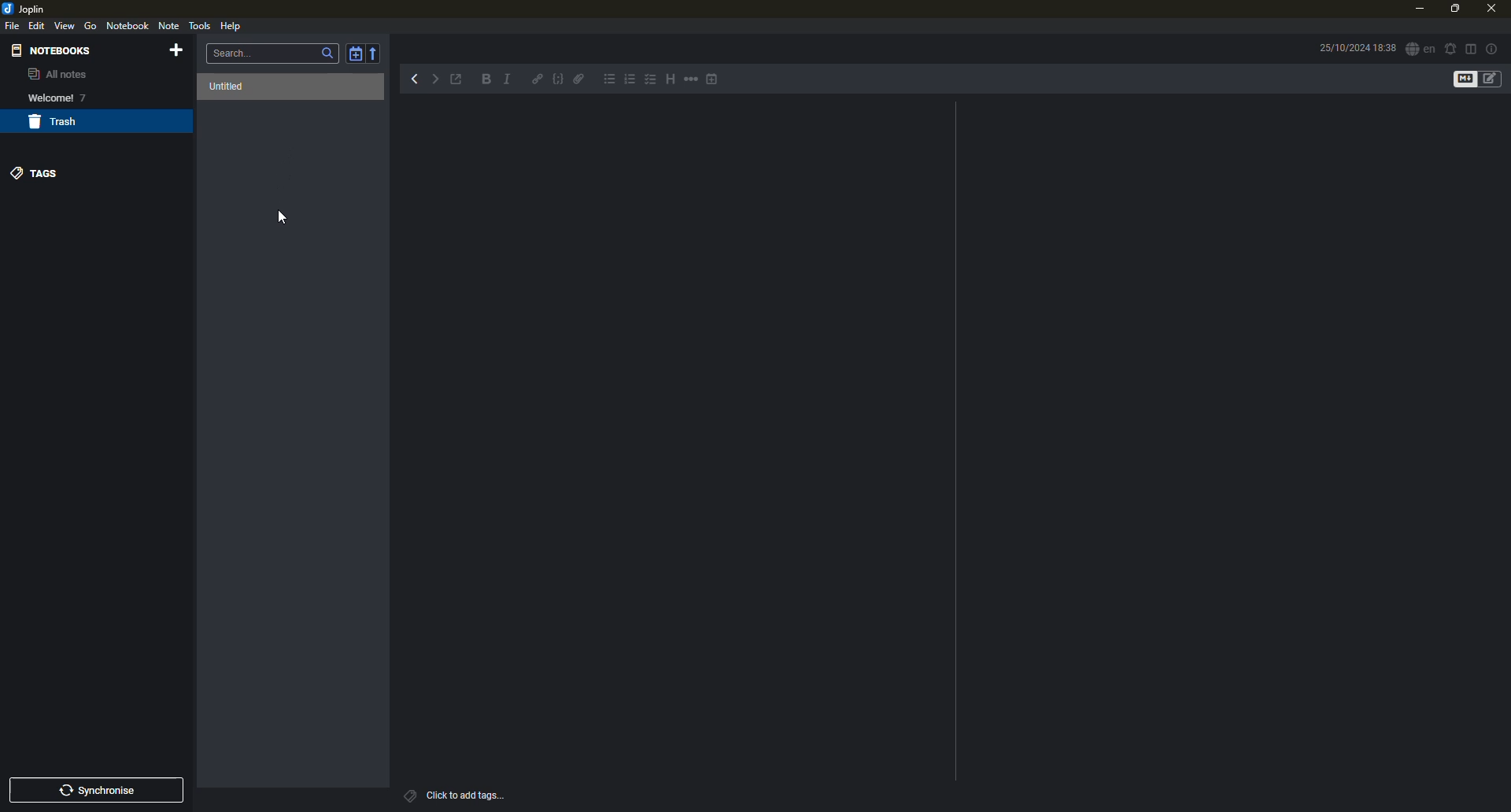 The image size is (1511, 812). What do you see at coordinates (13, 26) in the screenshot?
I see `file` at bounding box center [13, 26].